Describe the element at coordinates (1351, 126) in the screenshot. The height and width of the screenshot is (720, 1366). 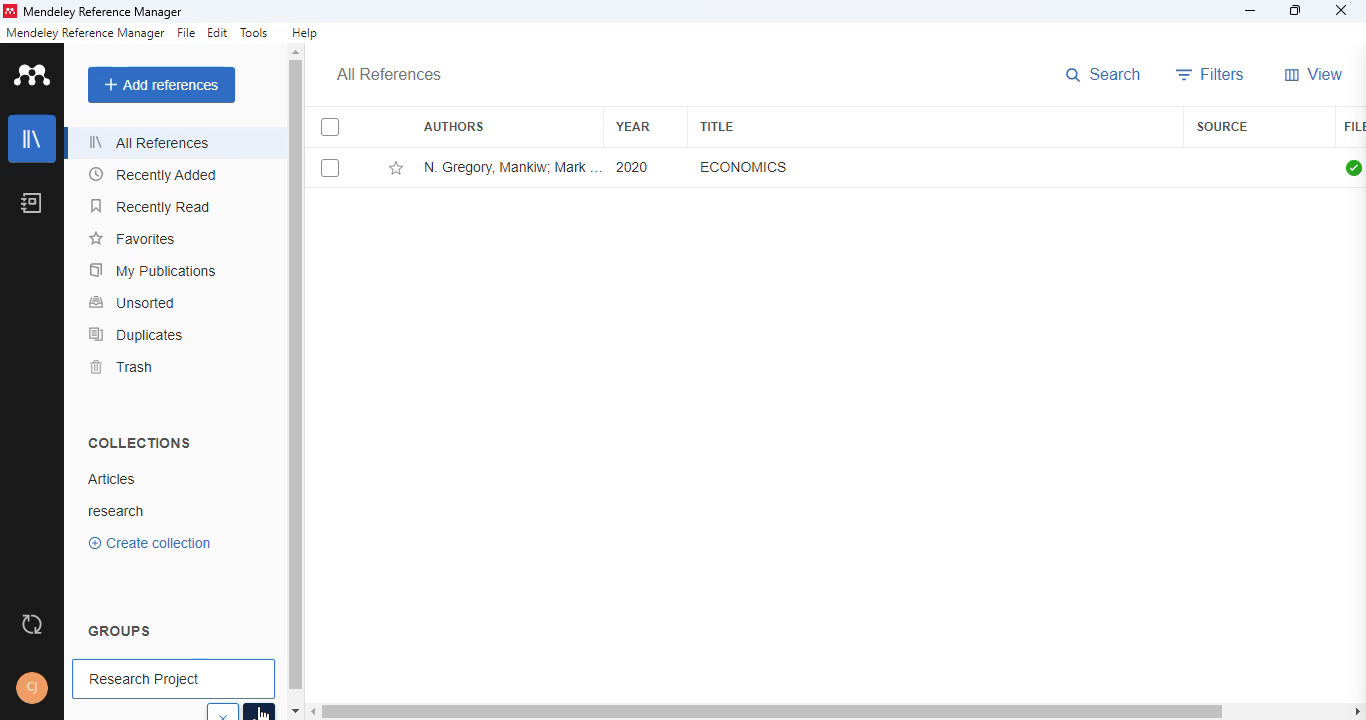
I see `file` at that location.